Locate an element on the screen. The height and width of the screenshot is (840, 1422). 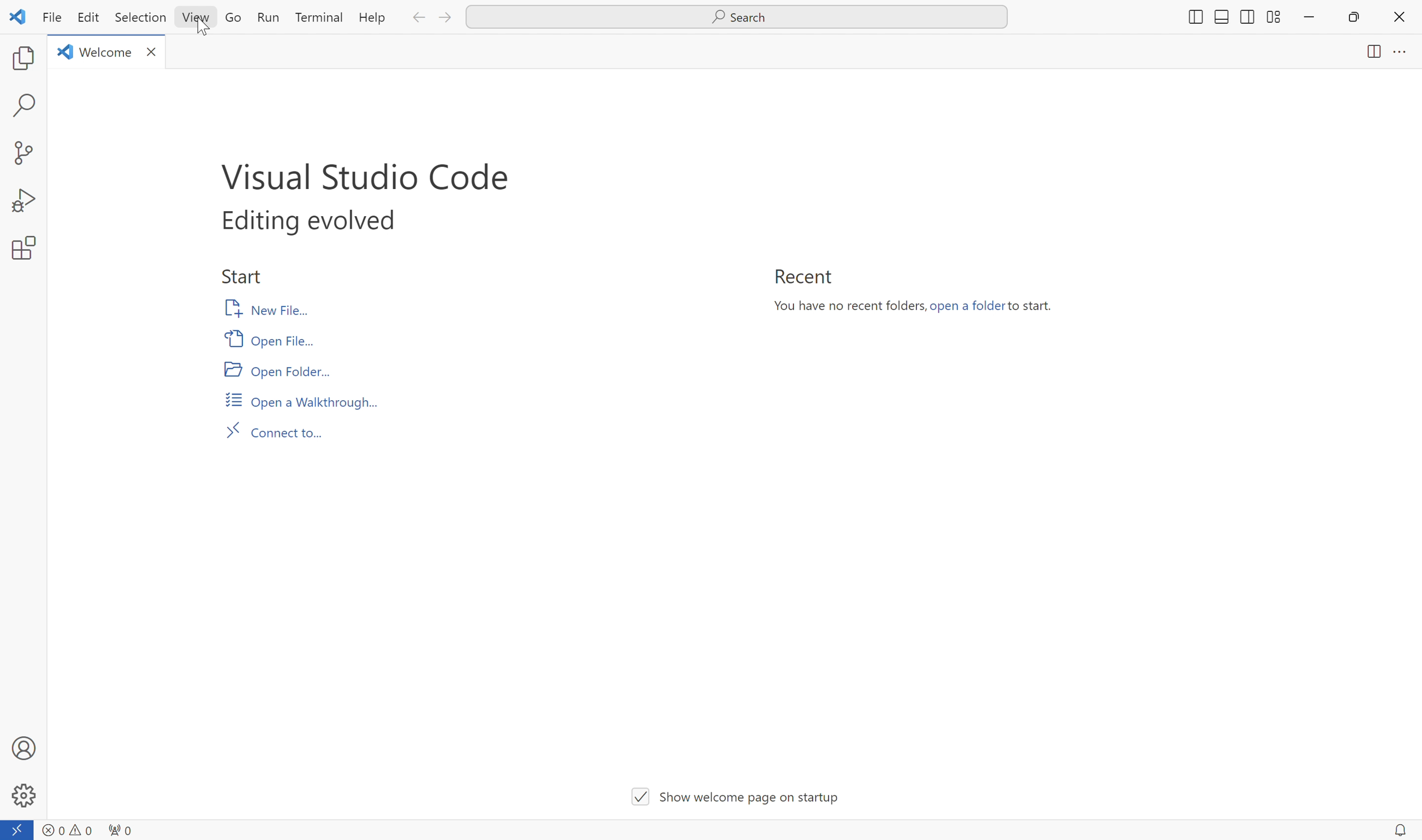
menu is located at coordinates (1405, 57).